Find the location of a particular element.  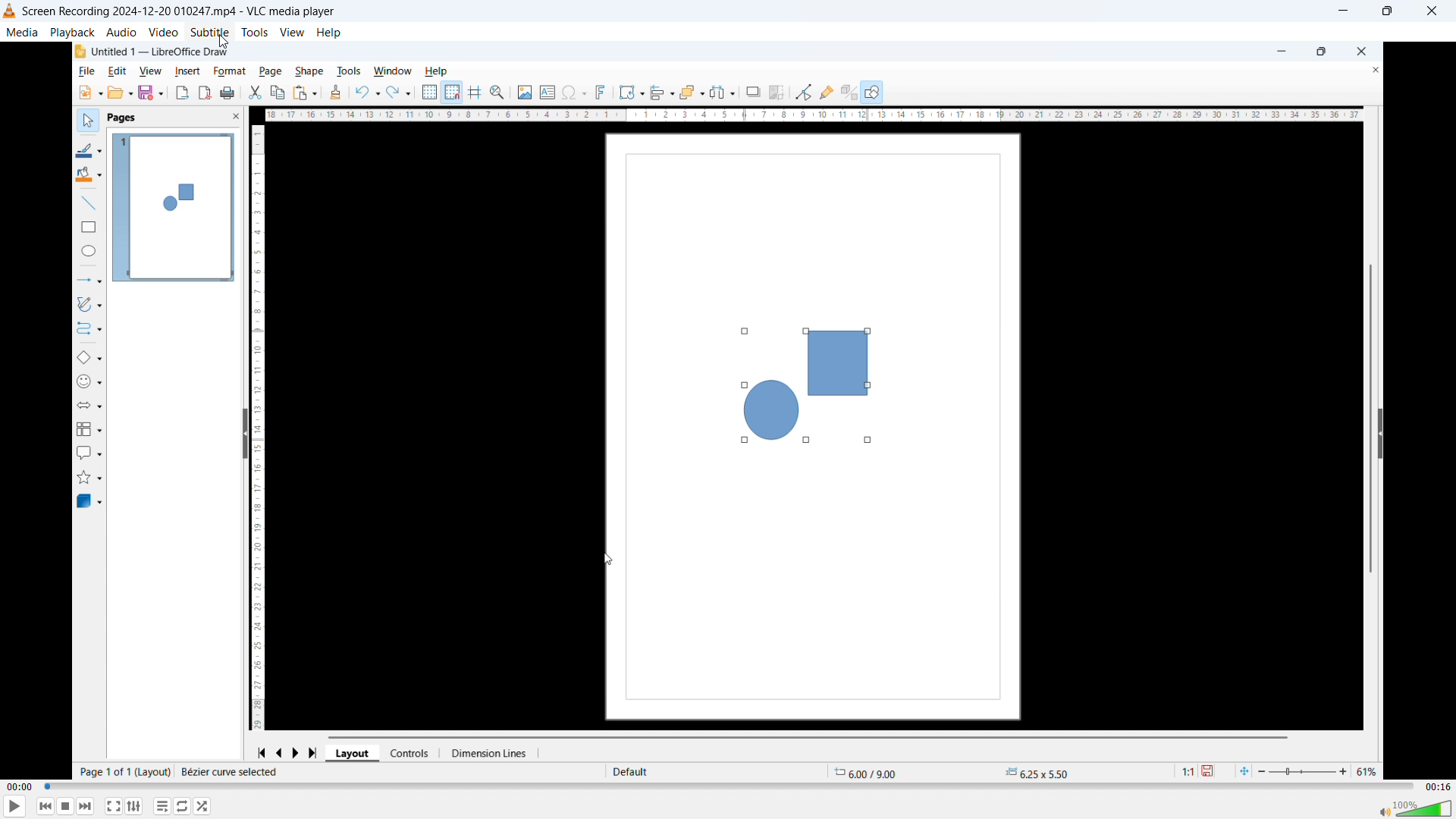

Tools  is located at coordinates (255, 33).